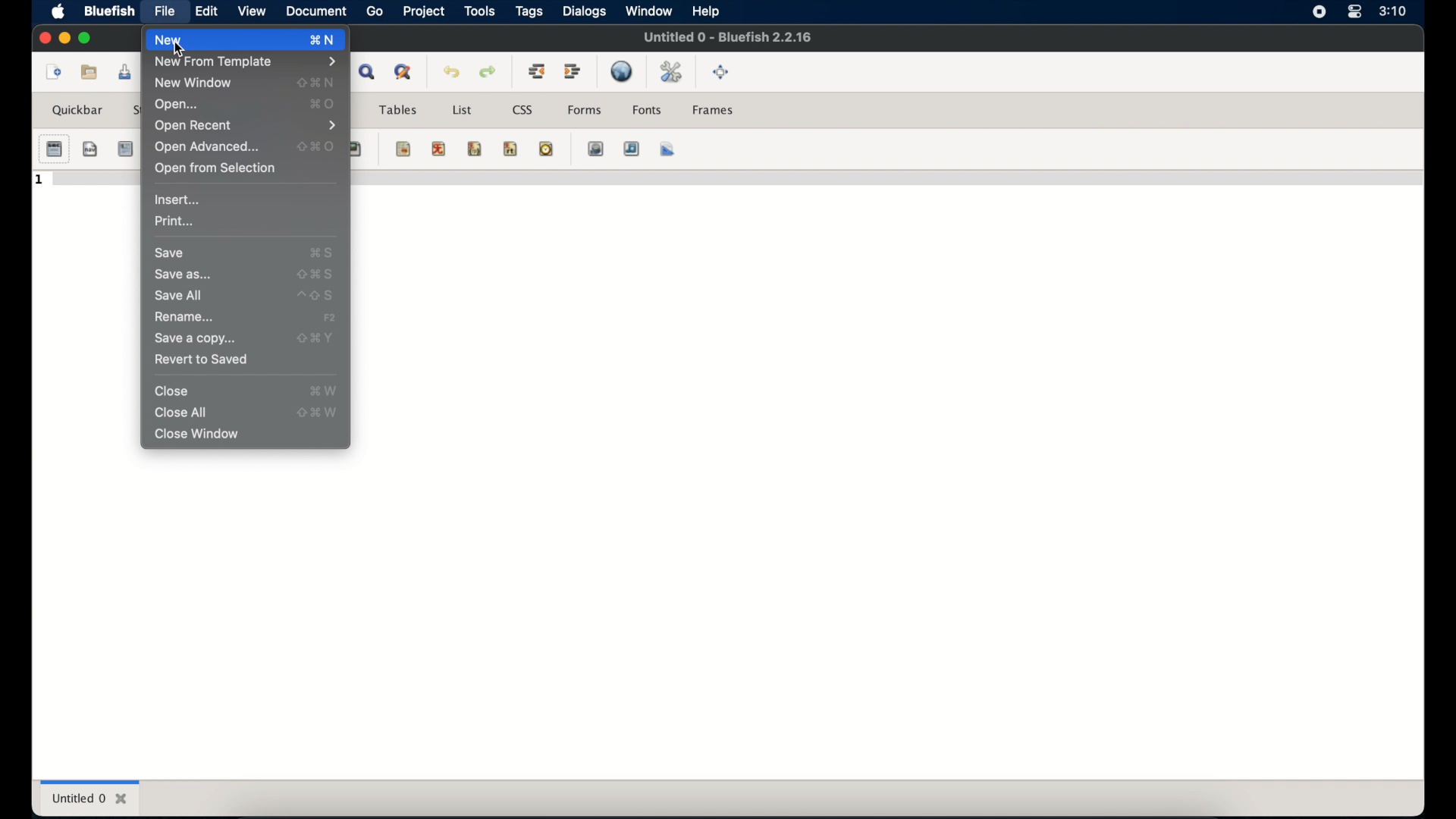  I want to click on 1, so click(40, 180).